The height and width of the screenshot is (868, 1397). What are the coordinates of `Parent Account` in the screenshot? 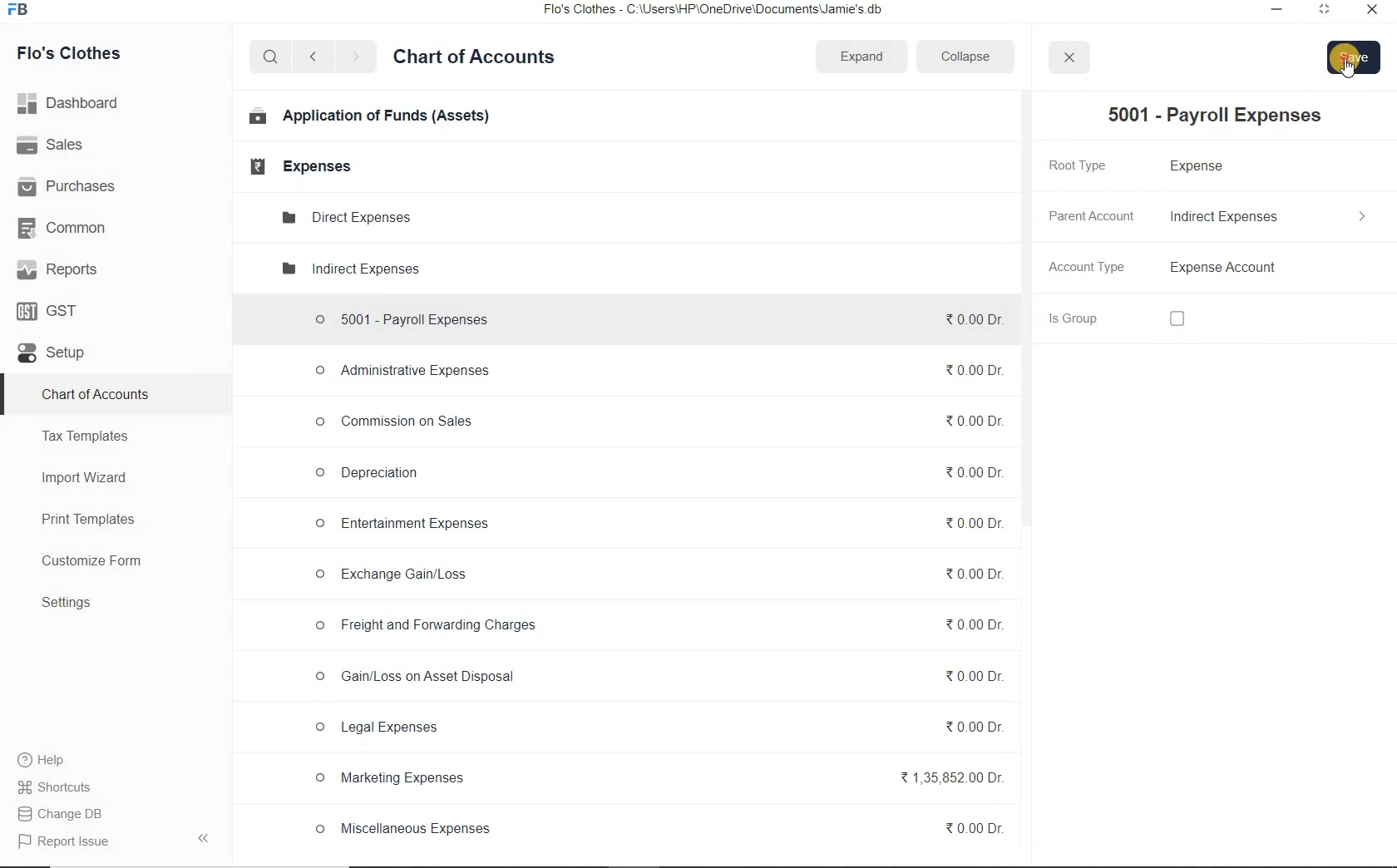 It's located at (1090, 215).